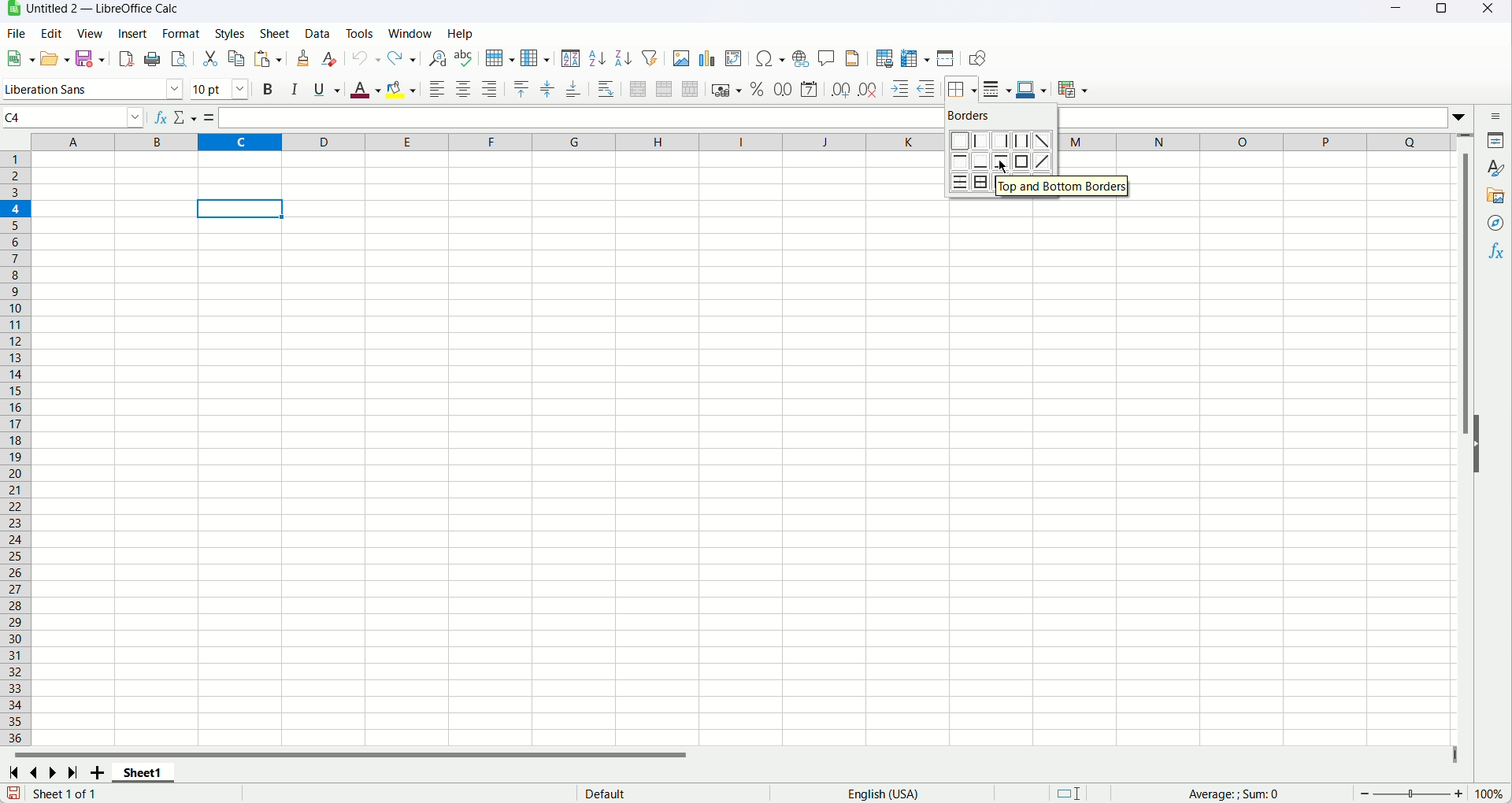 Image resolution: width=1512 pixels, height=803 pixels. Describe the element at coordinates (179, 59) in the screenshot. I see `Print preview` at that location.